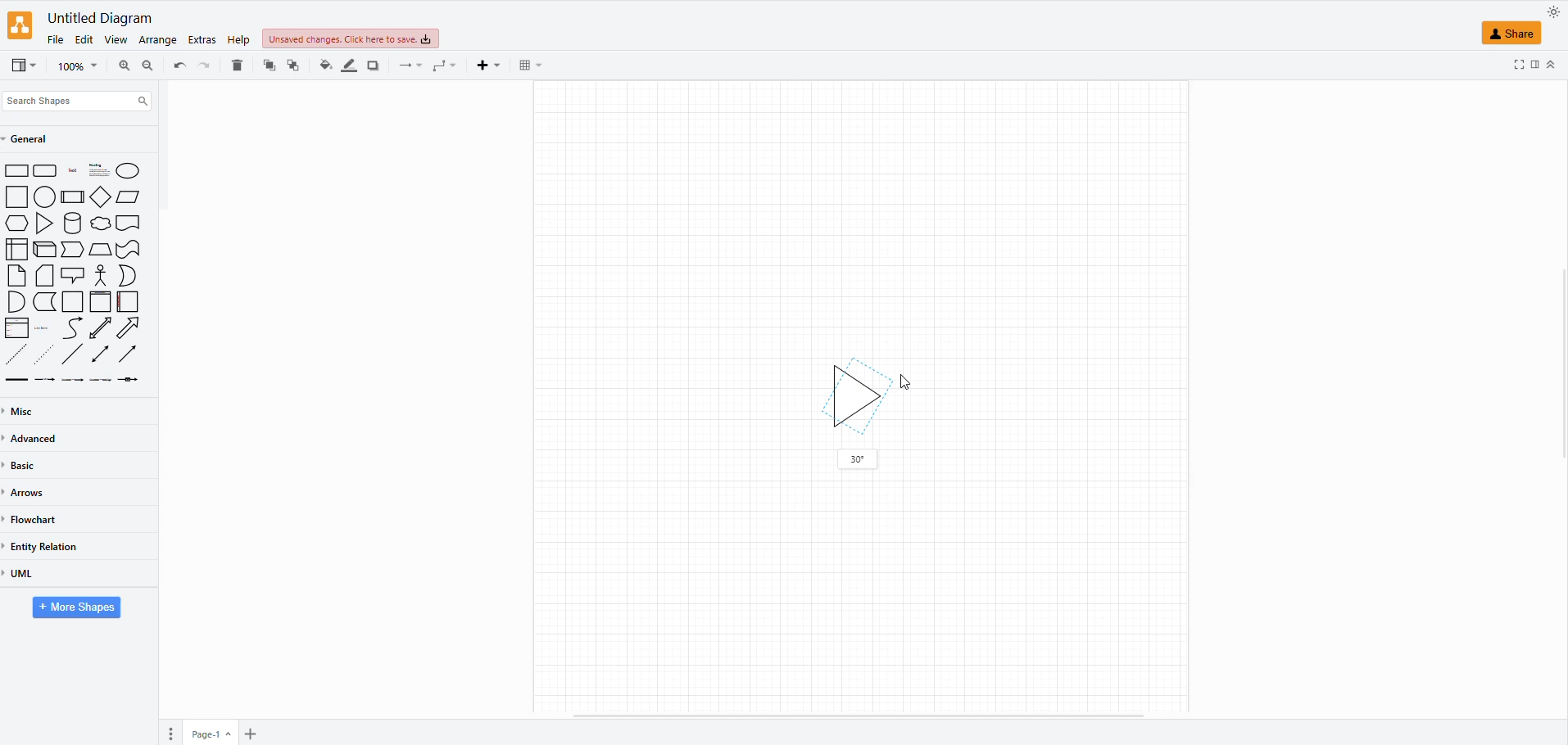 This screenshot has height=745, width=1568. I want to click on Class, so click(17, 328).